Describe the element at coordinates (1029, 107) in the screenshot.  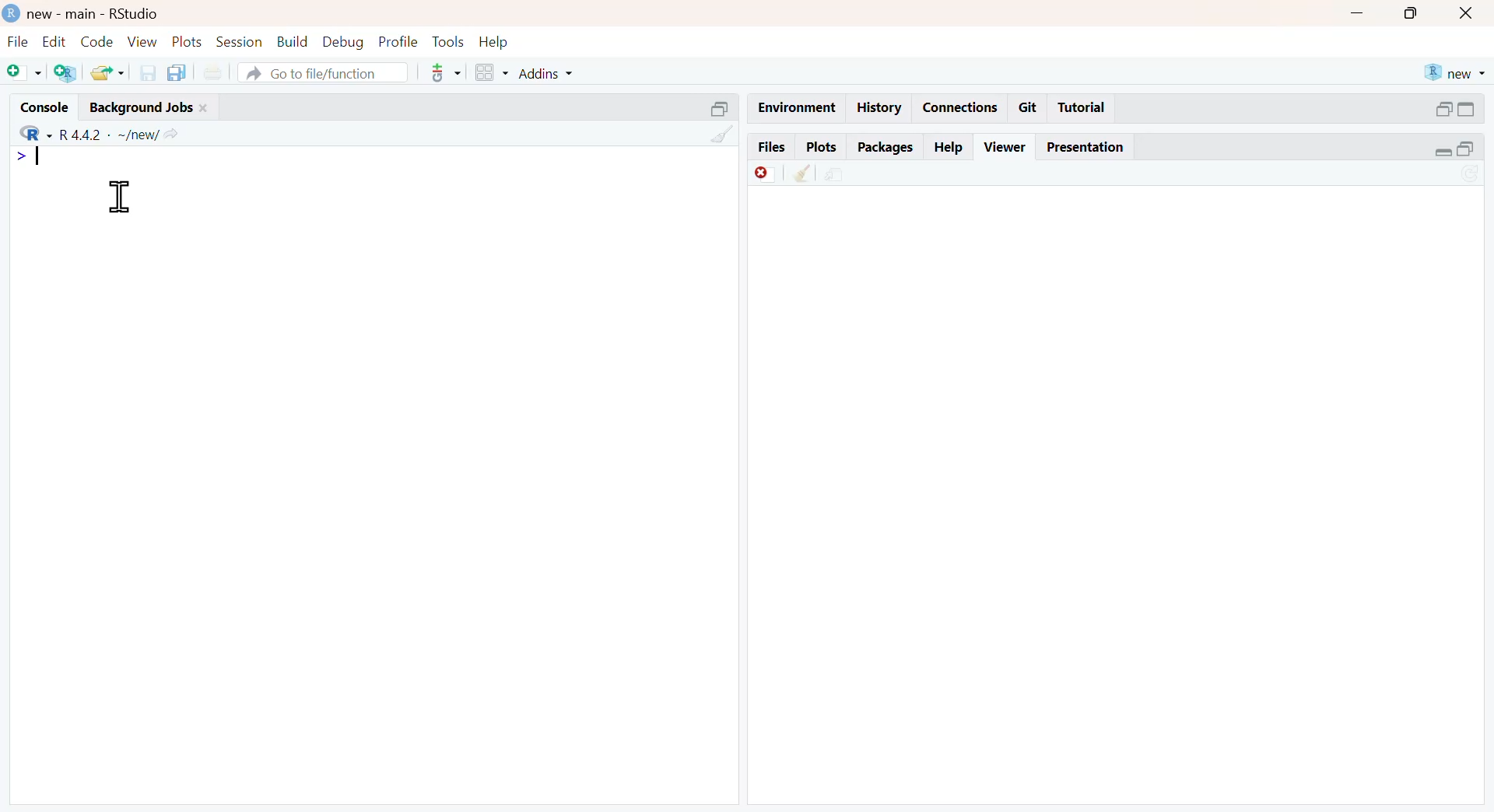
I see `git` at that location.